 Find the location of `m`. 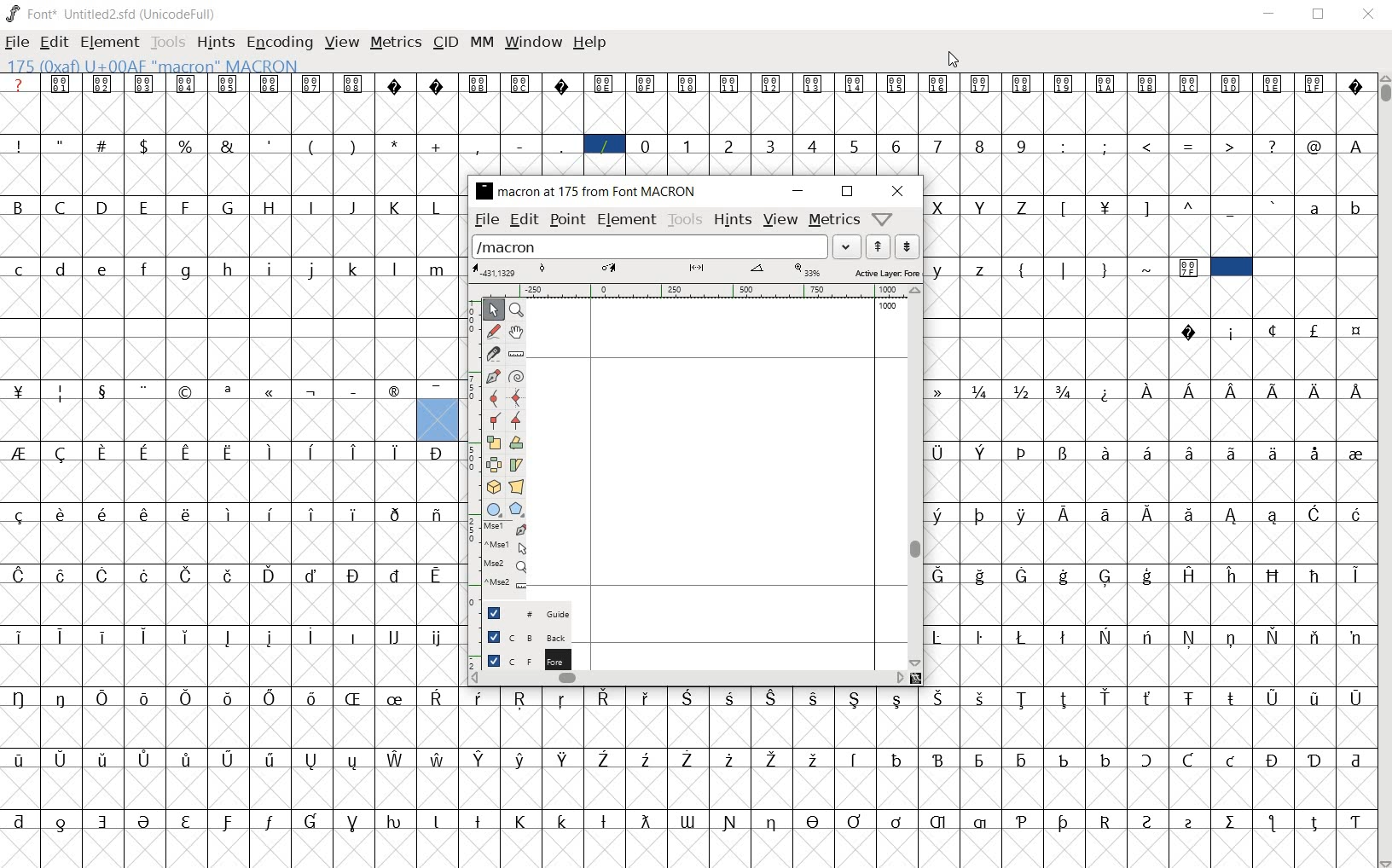

m is located at coordinates (438, 268).